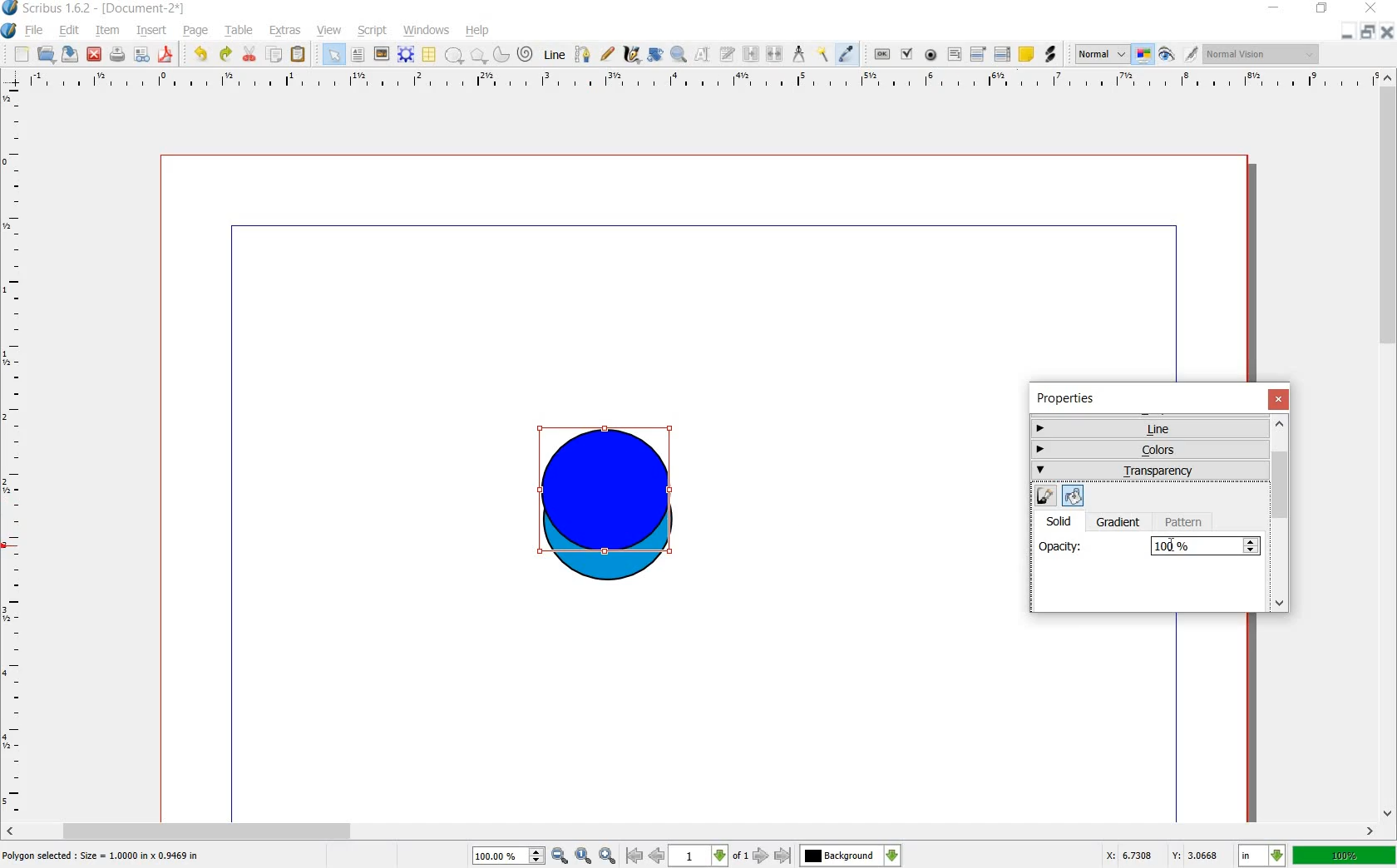 The width and height of the screenshot is (1397, 868). What do you see at coordinates (560, 856) in the screenshot?
I see `zoom out` at bounding box center [560, 856].